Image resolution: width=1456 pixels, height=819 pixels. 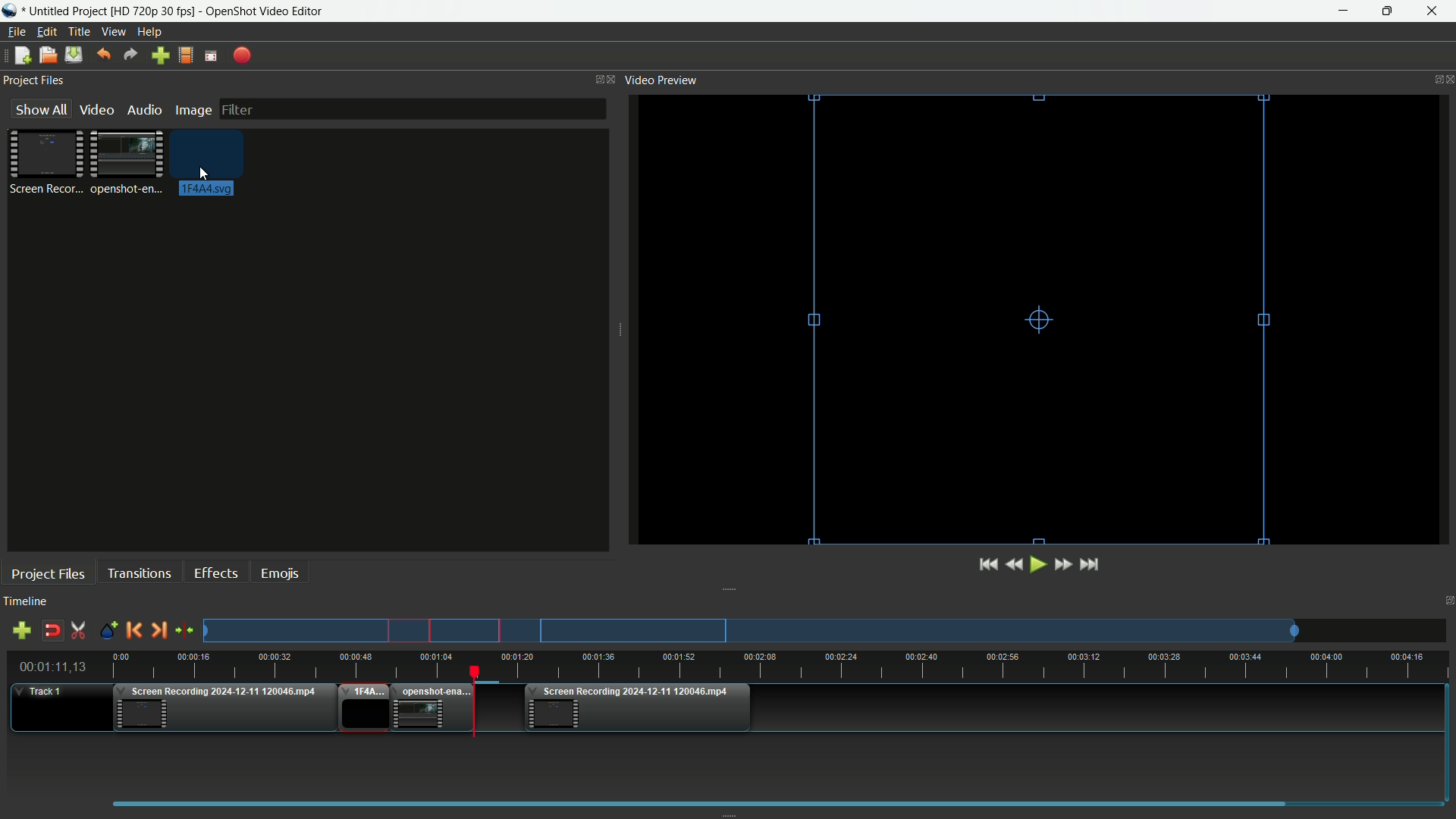 What do you see at coordinates (101, 55) in the screenshot?
I see `Undo` at bounding box center [101, 55].